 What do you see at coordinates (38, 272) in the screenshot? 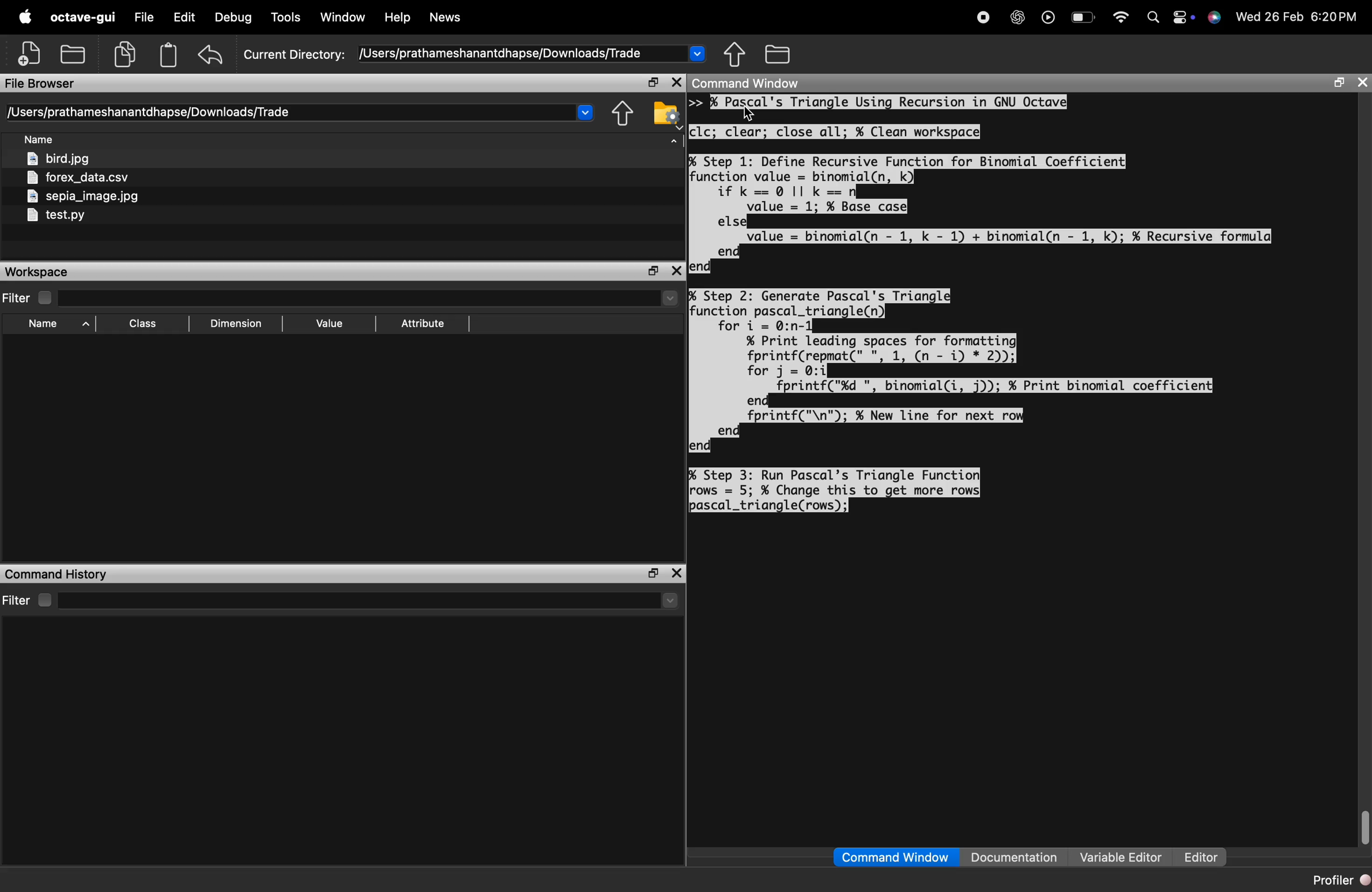
I see `Workspace` at bounding box center [38, 272].